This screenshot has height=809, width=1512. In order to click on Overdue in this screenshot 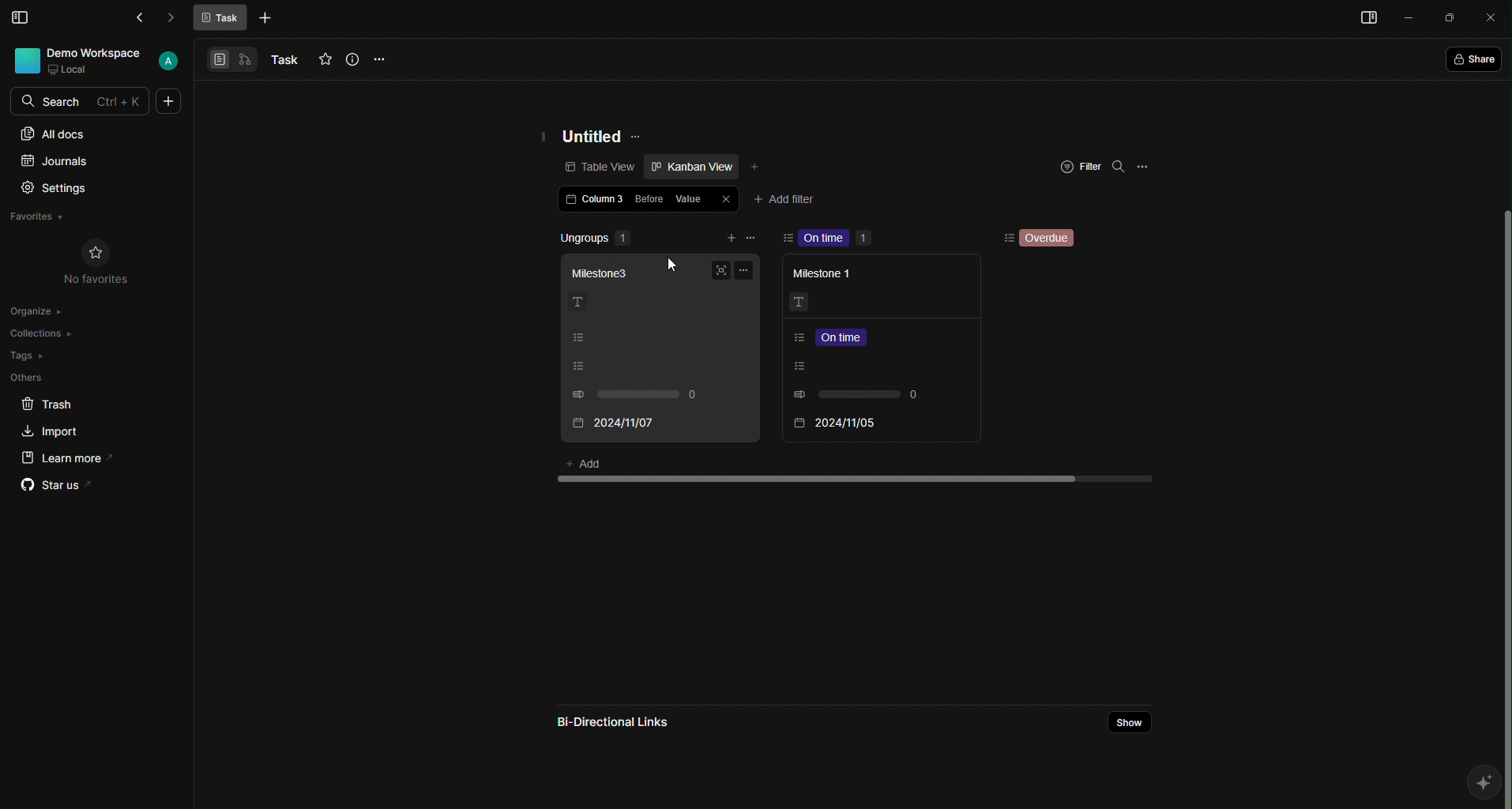, I will do `click(1050, 239)`.